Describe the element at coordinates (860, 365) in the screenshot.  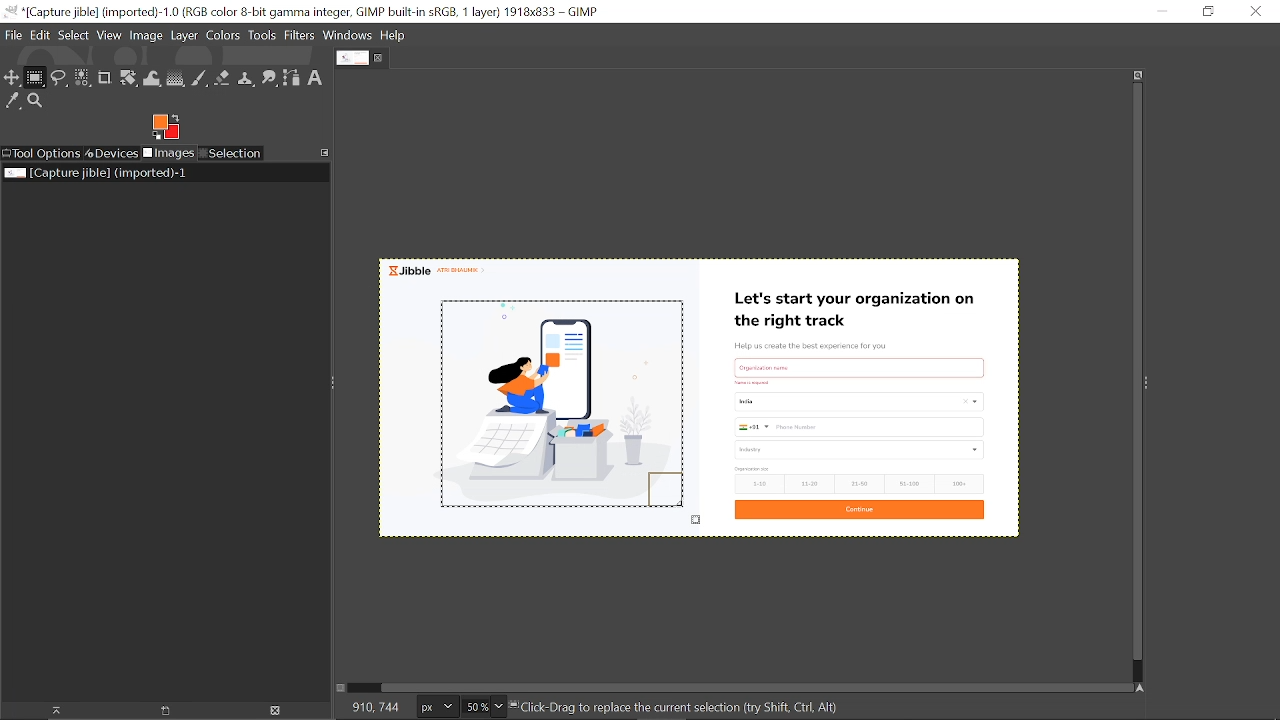
I see `text` at that location.